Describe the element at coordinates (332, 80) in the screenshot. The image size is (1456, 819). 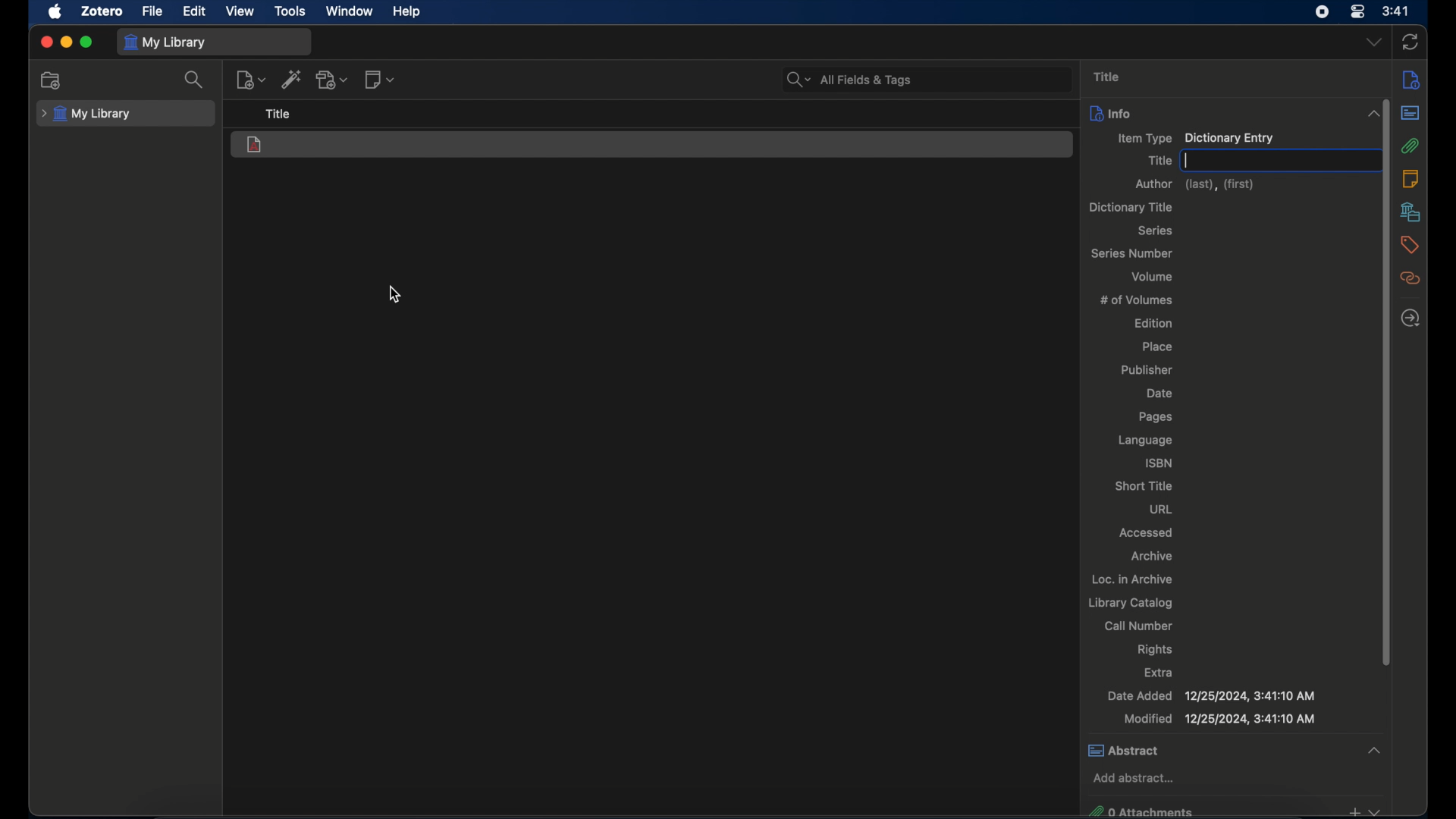
I see `add attachment` at that location.